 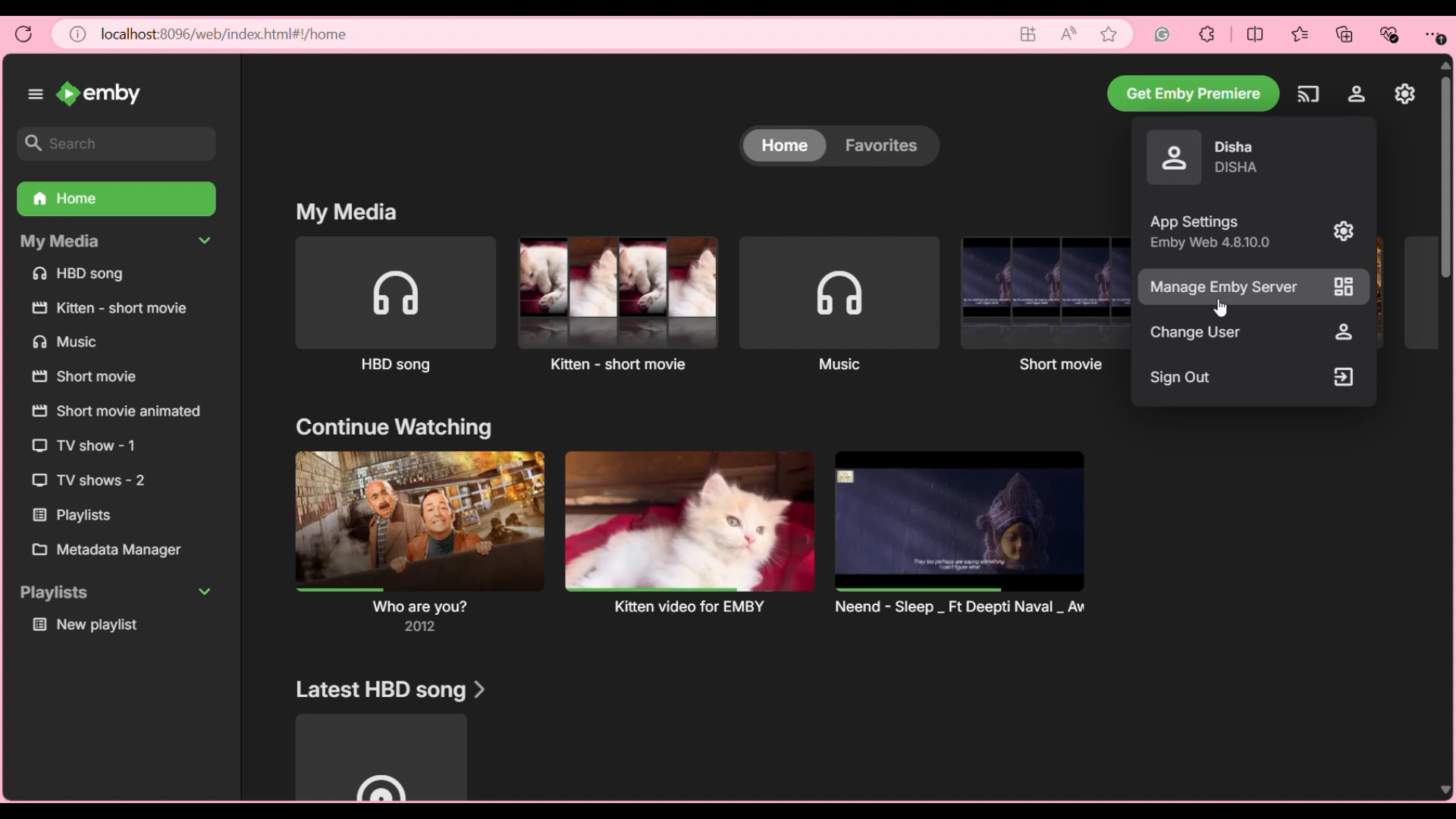 I want to click on Manage Emby server, so click(x=1405, y=93).